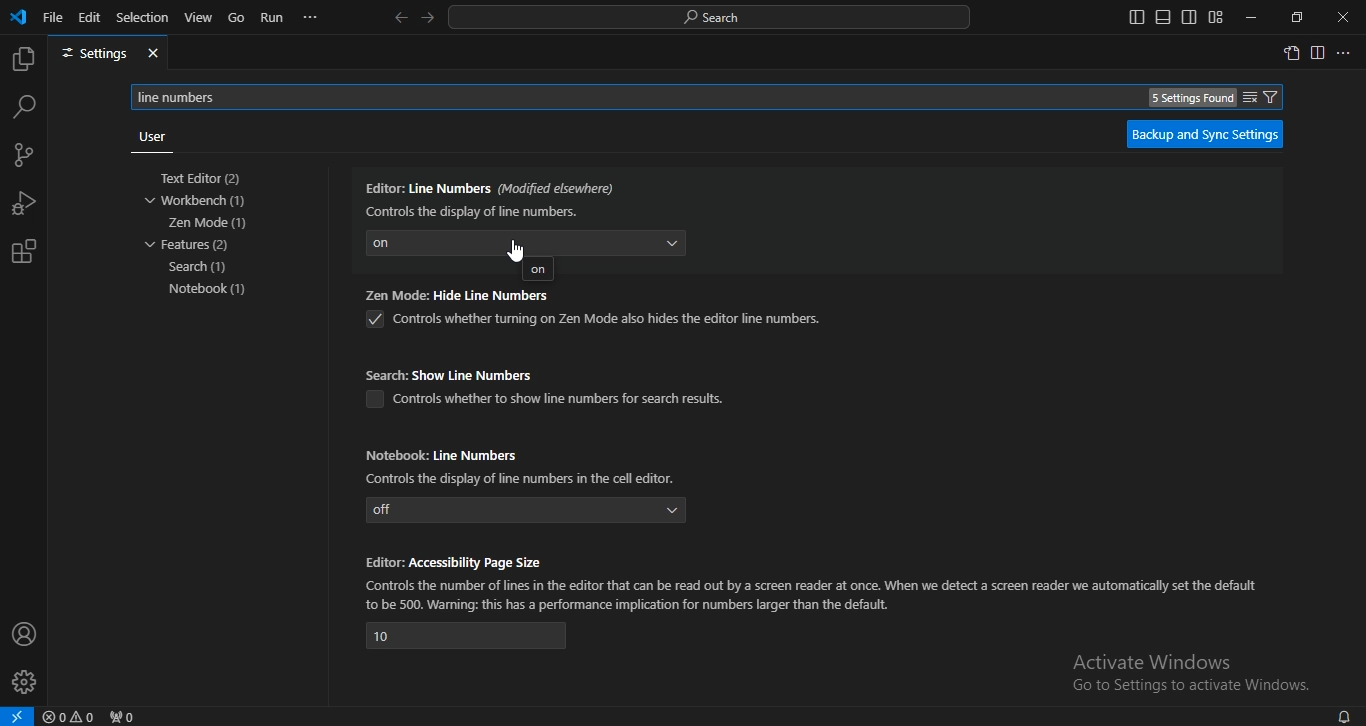 The height and width of the screenshot is (726, 1366). I want to click on open settings, so click(1291, 52).